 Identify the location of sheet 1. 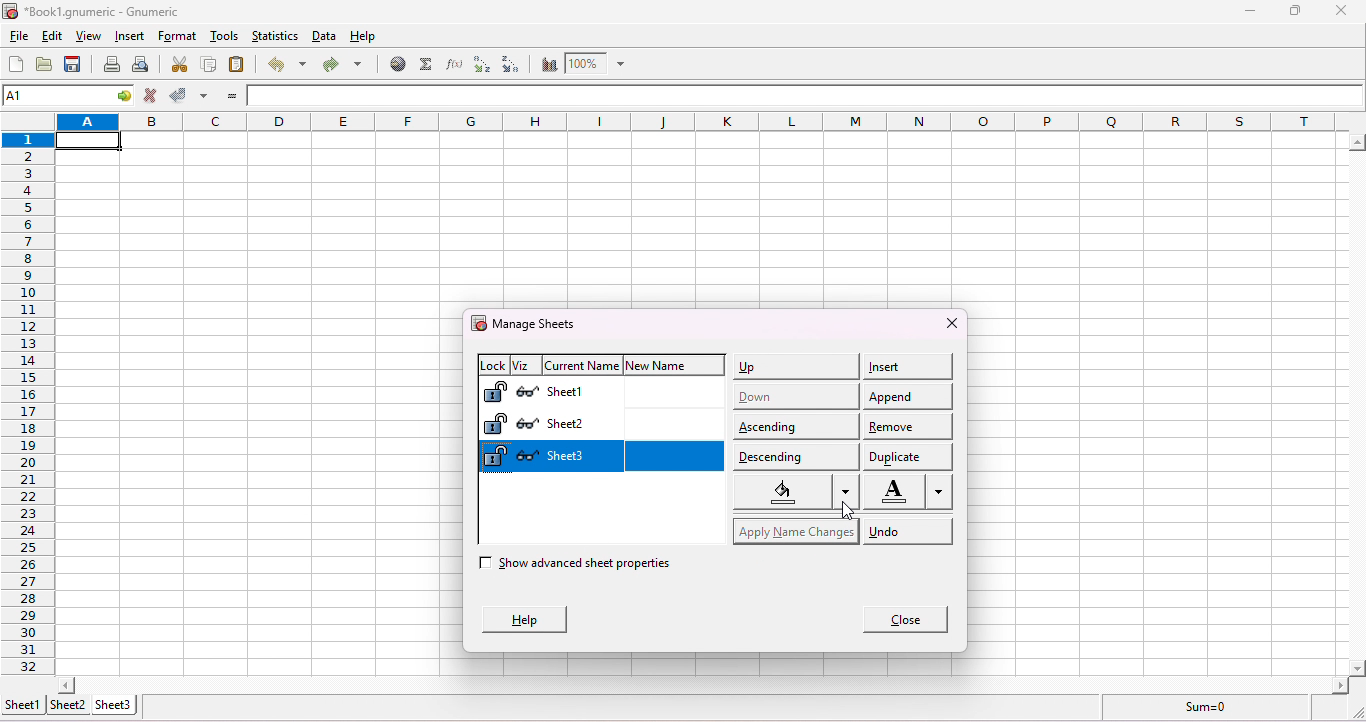
(23, 708).